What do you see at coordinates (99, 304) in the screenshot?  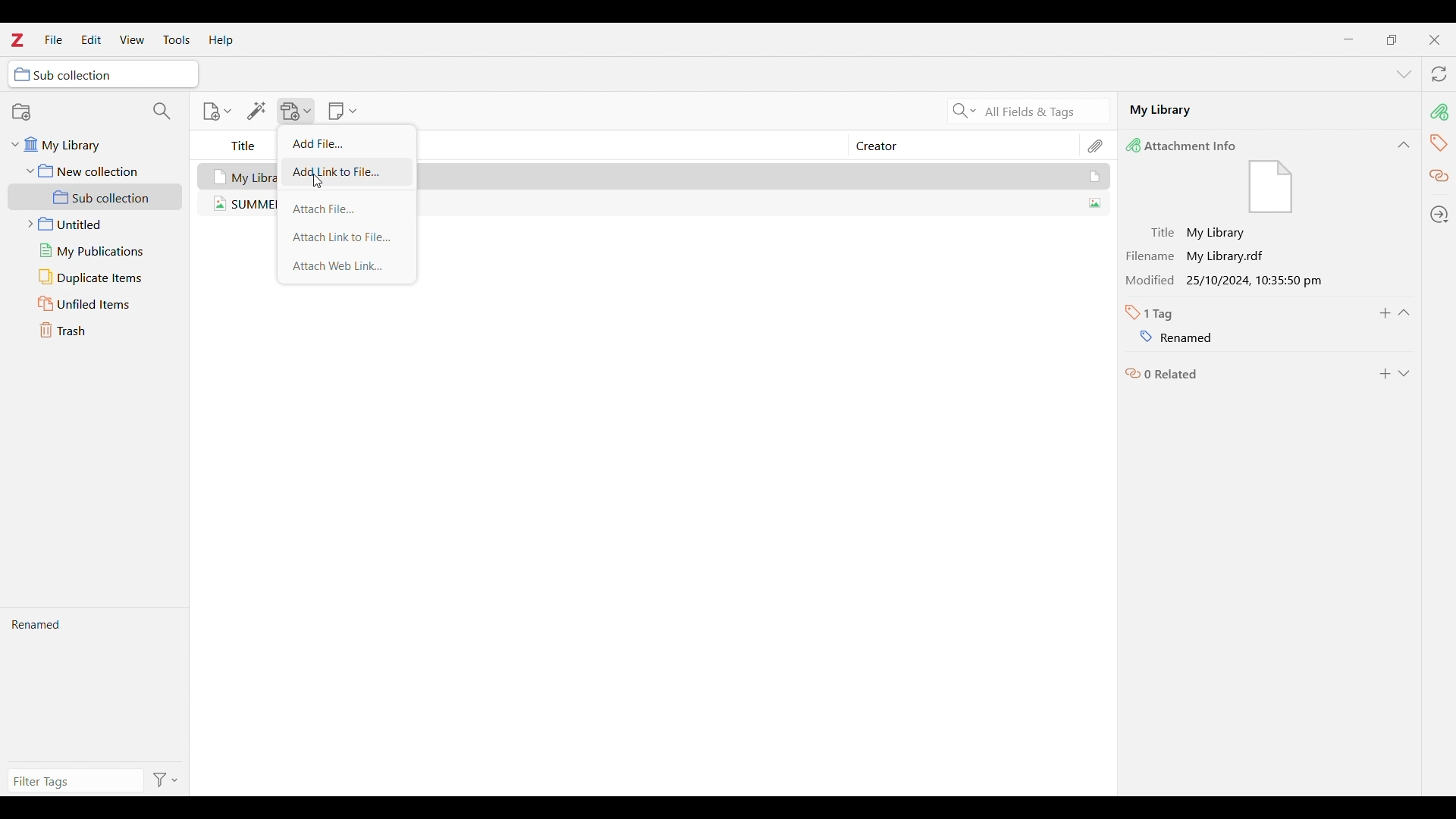 I see `Unfiled items folder` at bounding box center [99, 304].